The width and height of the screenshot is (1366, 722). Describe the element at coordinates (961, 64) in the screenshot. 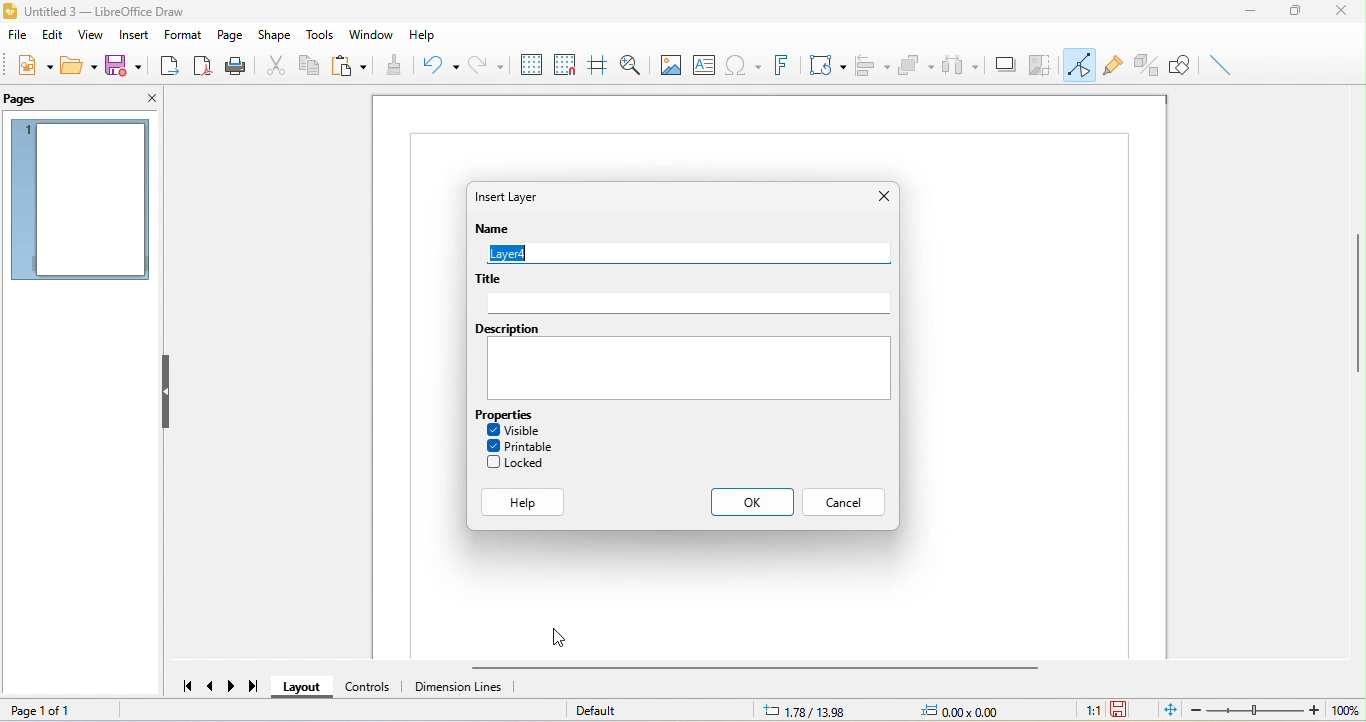

I see `select at least three object to distribute` at that location.